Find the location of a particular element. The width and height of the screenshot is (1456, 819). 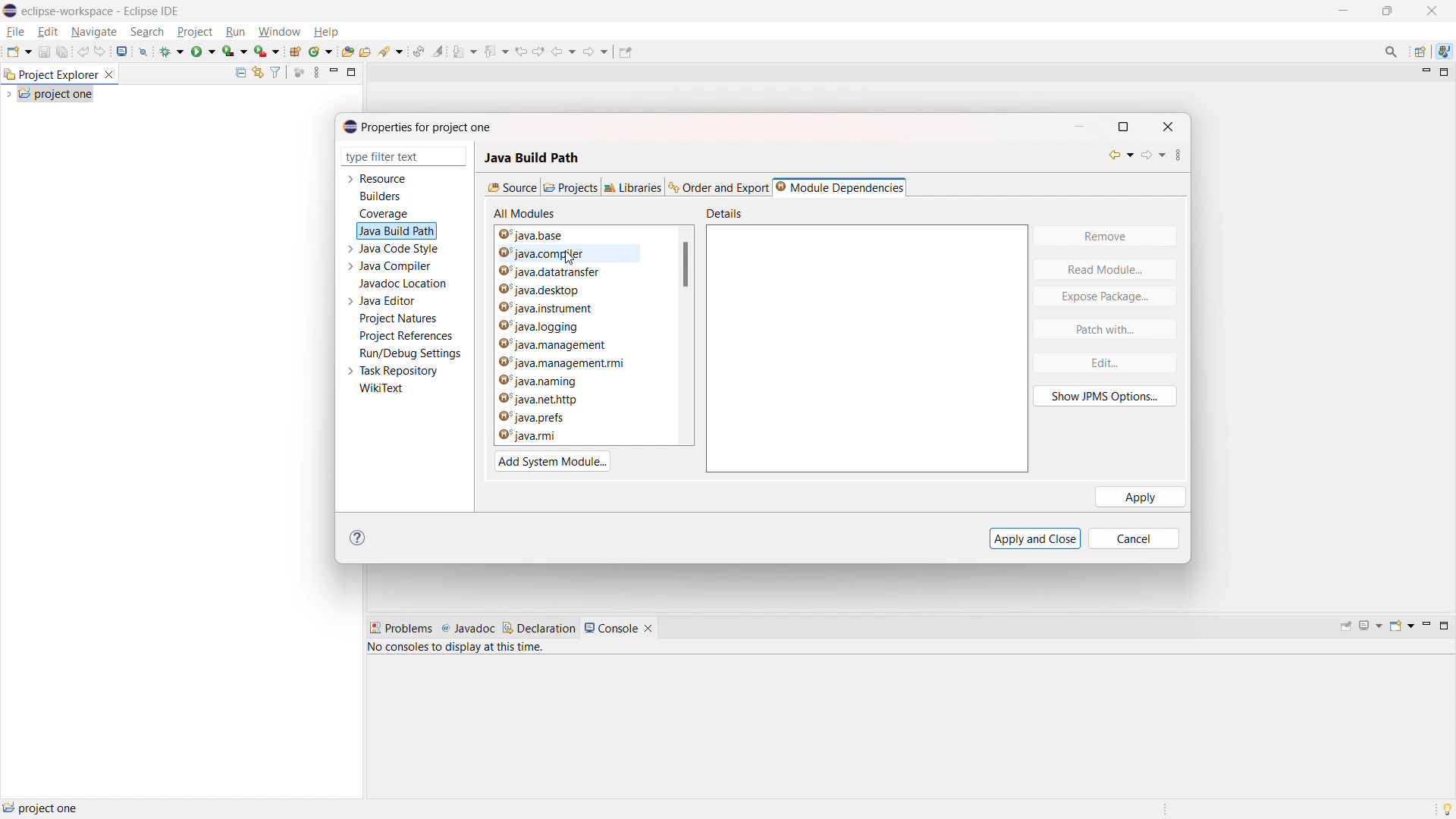

javadoc location is located at coordinates (404, 284).